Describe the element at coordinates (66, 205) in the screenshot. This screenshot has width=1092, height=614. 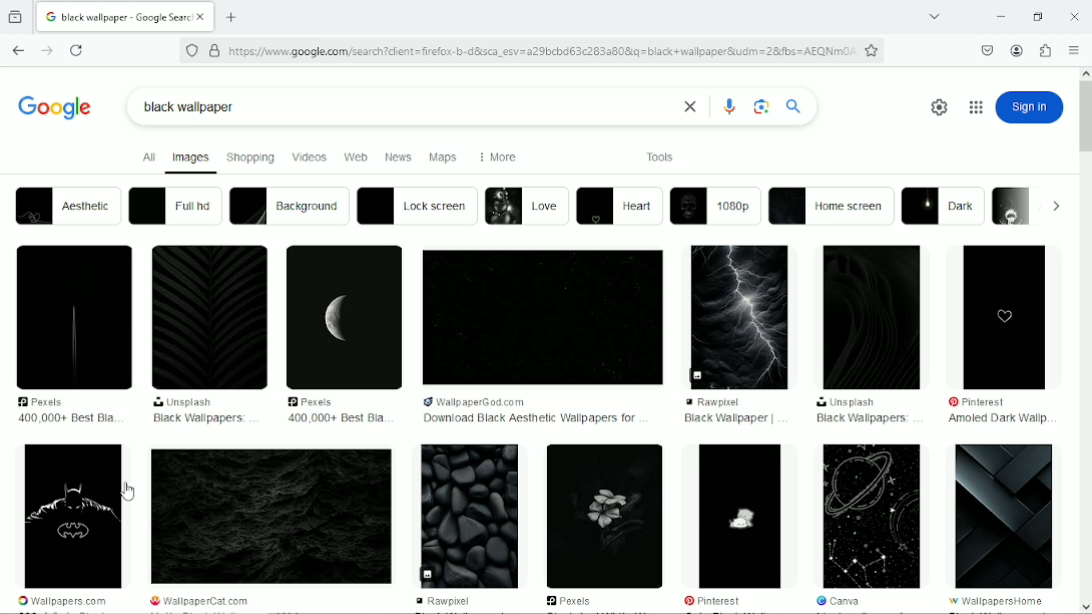
I see `aesthetic` at that location.